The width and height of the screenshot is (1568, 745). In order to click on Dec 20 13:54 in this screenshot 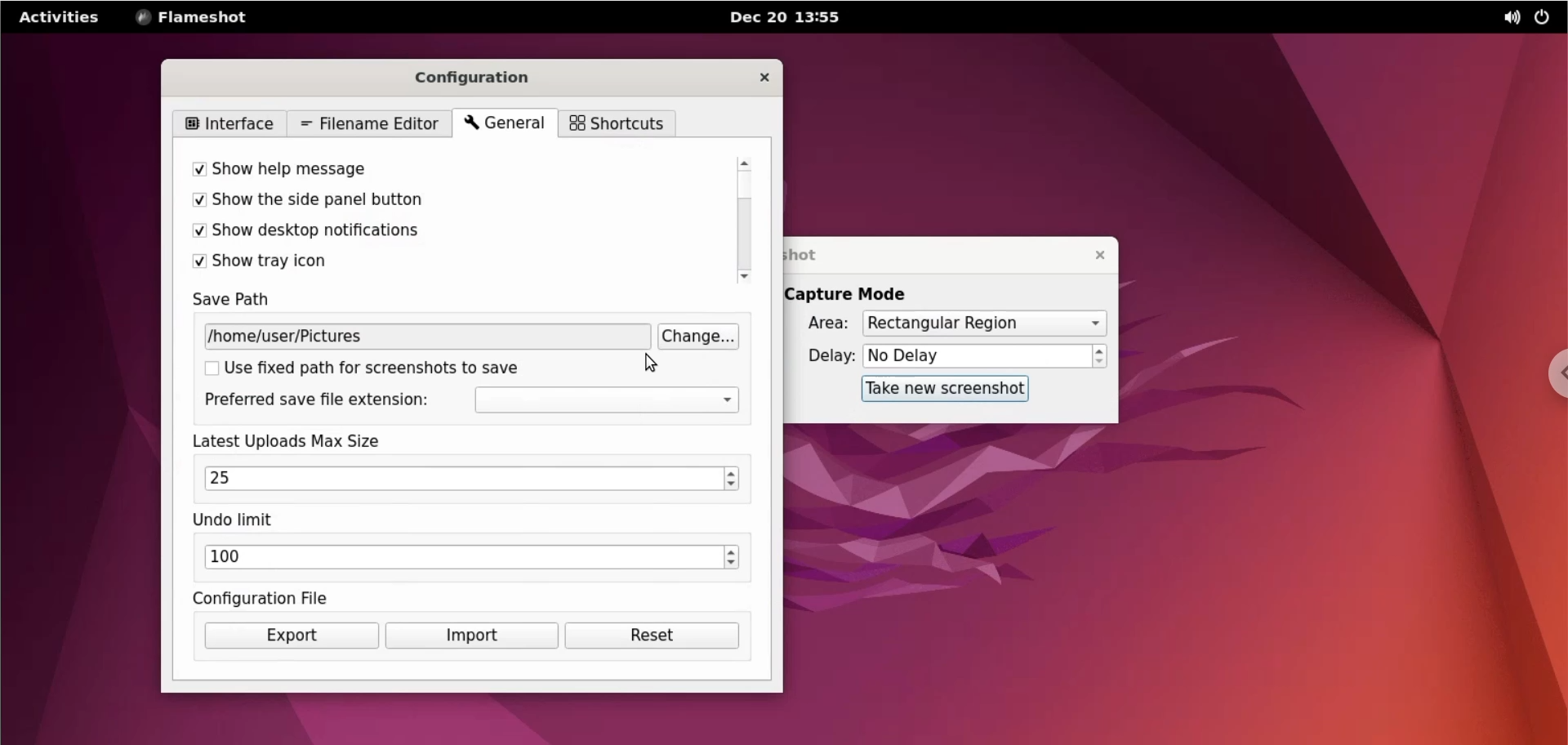, I will do `click(795, 19)`.